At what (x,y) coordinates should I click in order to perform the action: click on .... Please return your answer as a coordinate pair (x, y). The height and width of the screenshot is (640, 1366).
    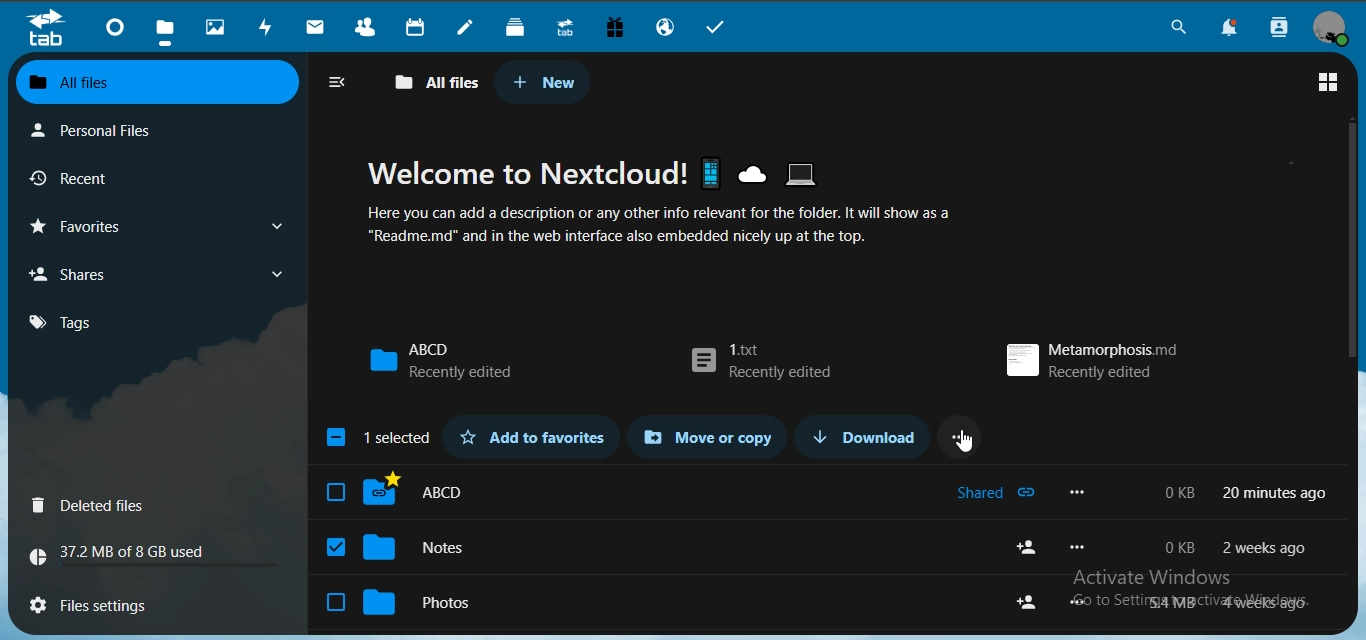
    Looking at the image, I should click on (960, 437).